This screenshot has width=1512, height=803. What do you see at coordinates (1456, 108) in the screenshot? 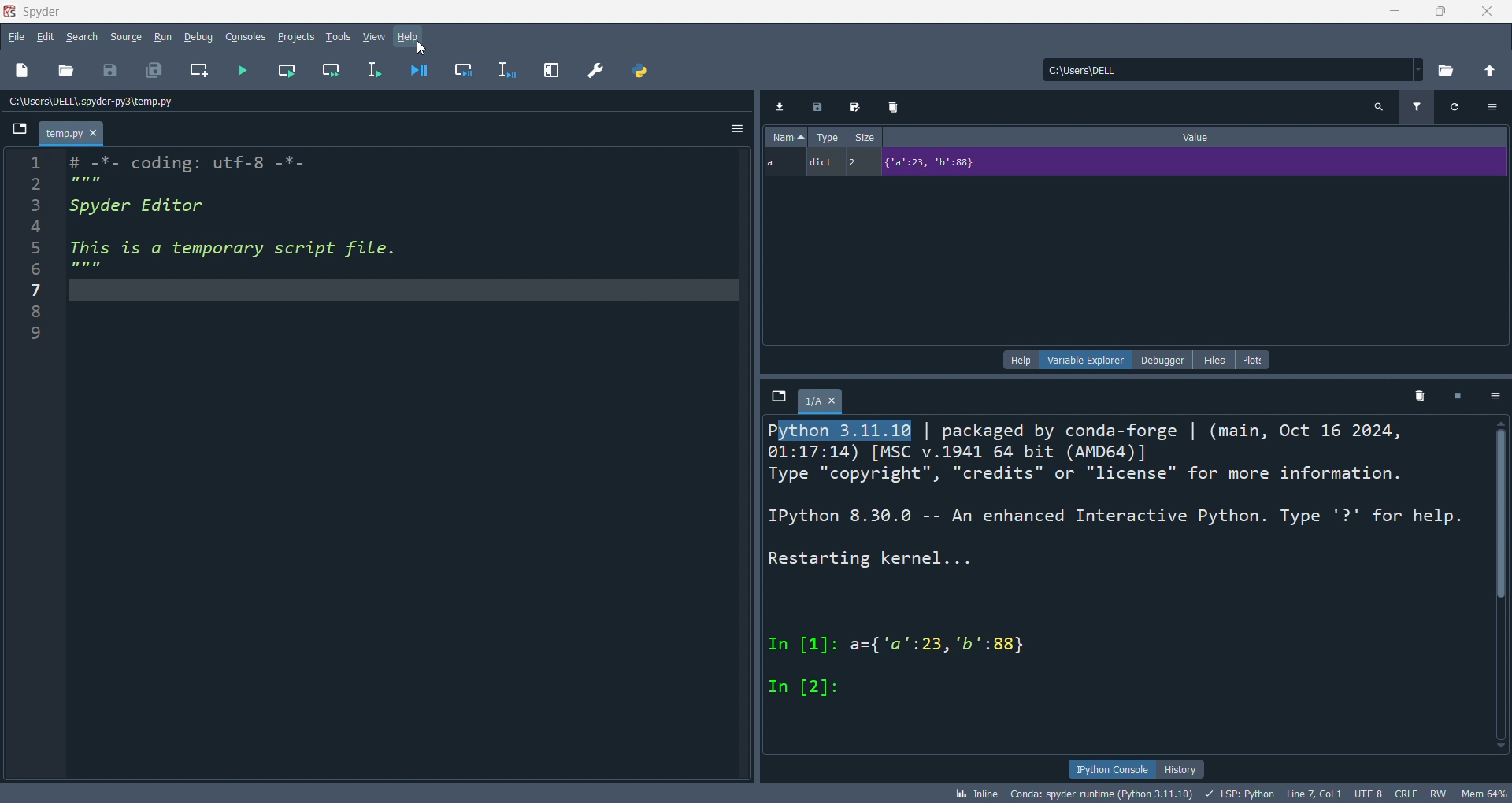
I see `Refersh` at bounding box center [1456, 108].